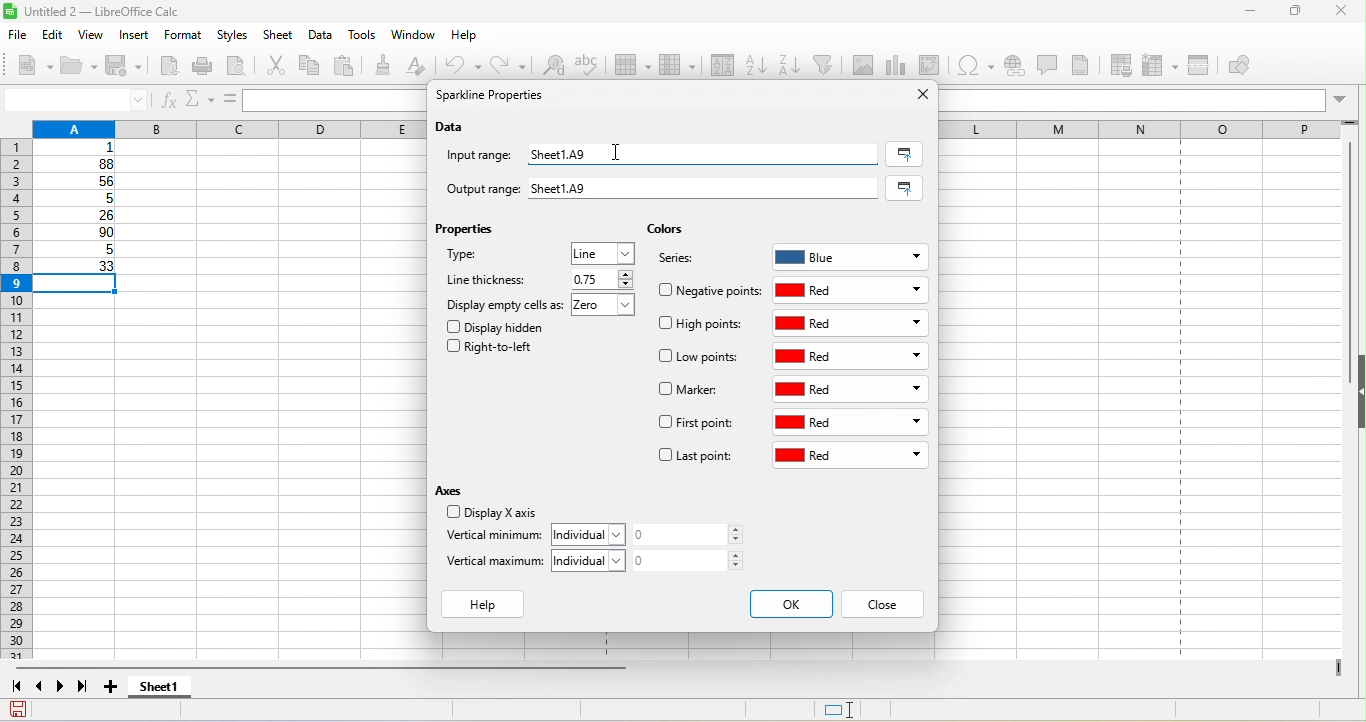  Describe the element at coordinates (65, 689) in the screenshot. I see `scroll to next sheet` at that location.